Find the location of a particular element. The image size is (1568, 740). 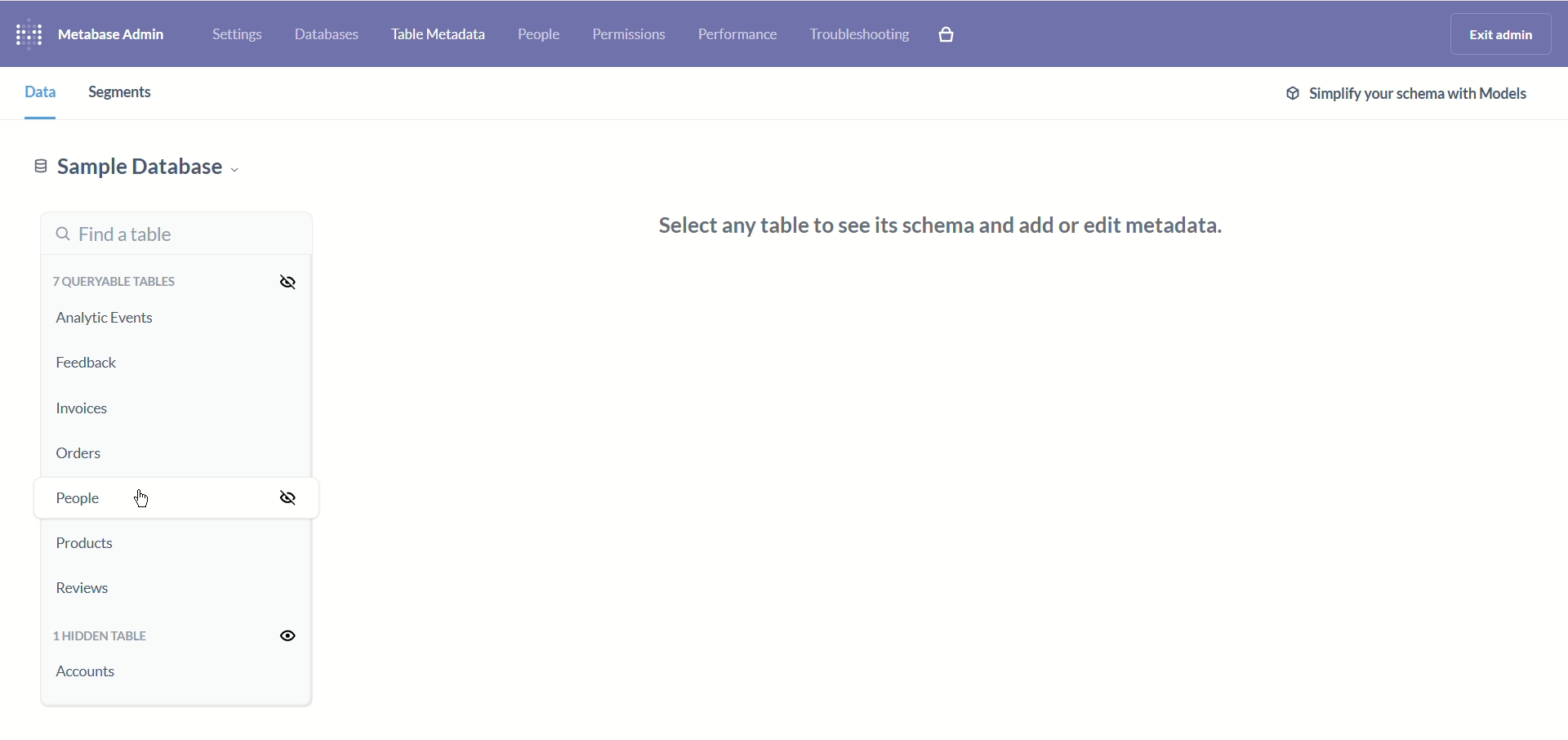

People is located at coordinates (117, 496).